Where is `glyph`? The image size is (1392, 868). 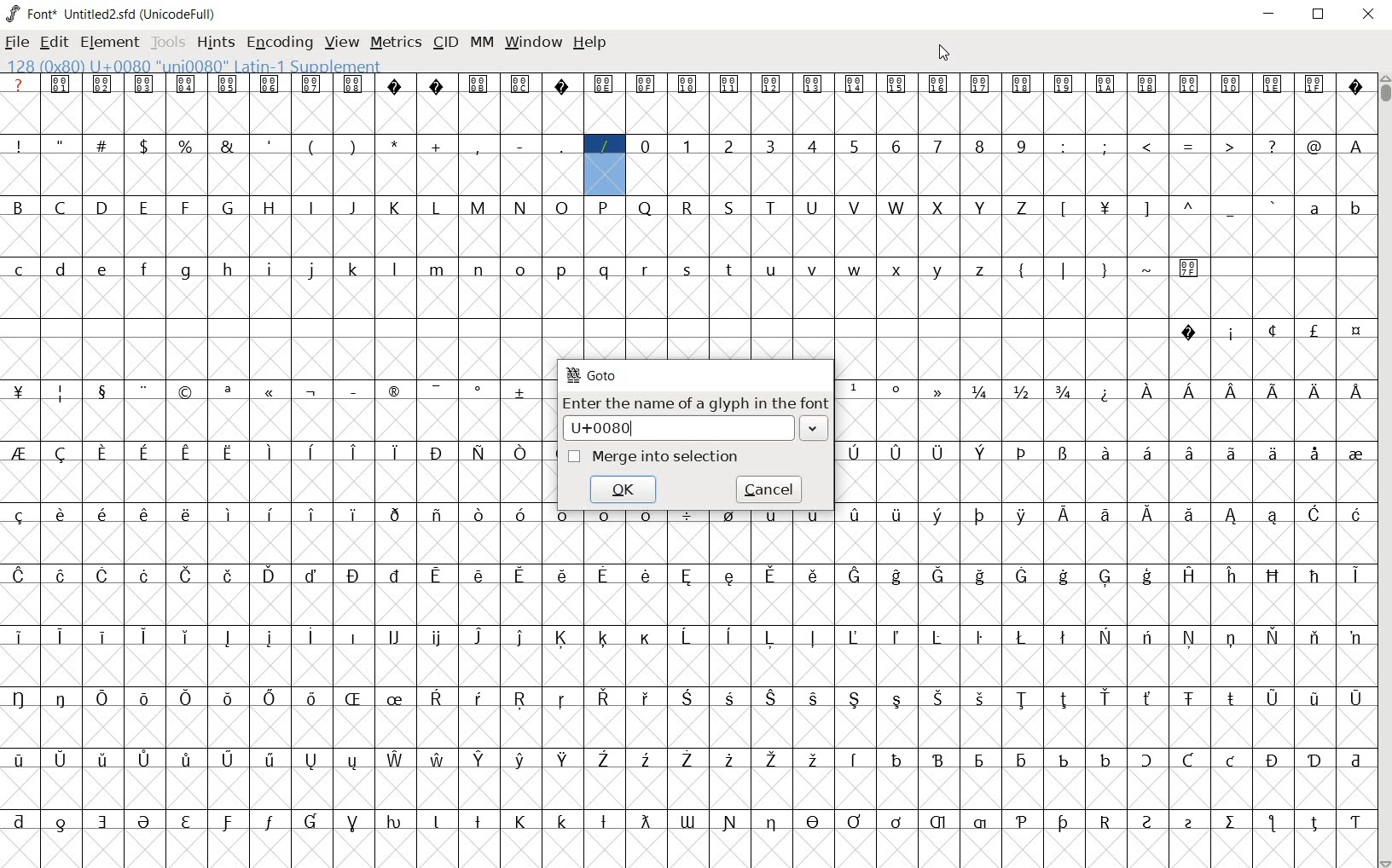
glyph is located at coordinates (812, 637).